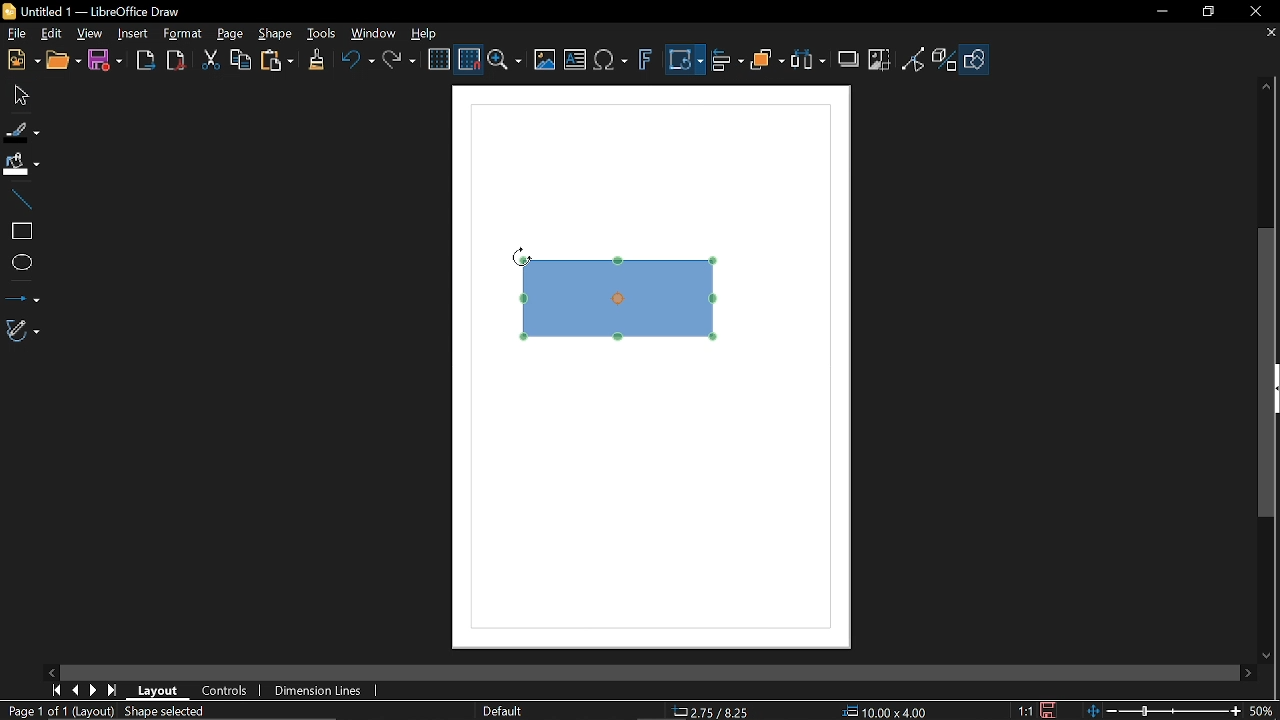 Image resolution: width=1280 pixels, height=720 pixels. What do you see at coordinates (145, 61) in the screenshot?
I see `Export ` at bounding box center [145, 61].